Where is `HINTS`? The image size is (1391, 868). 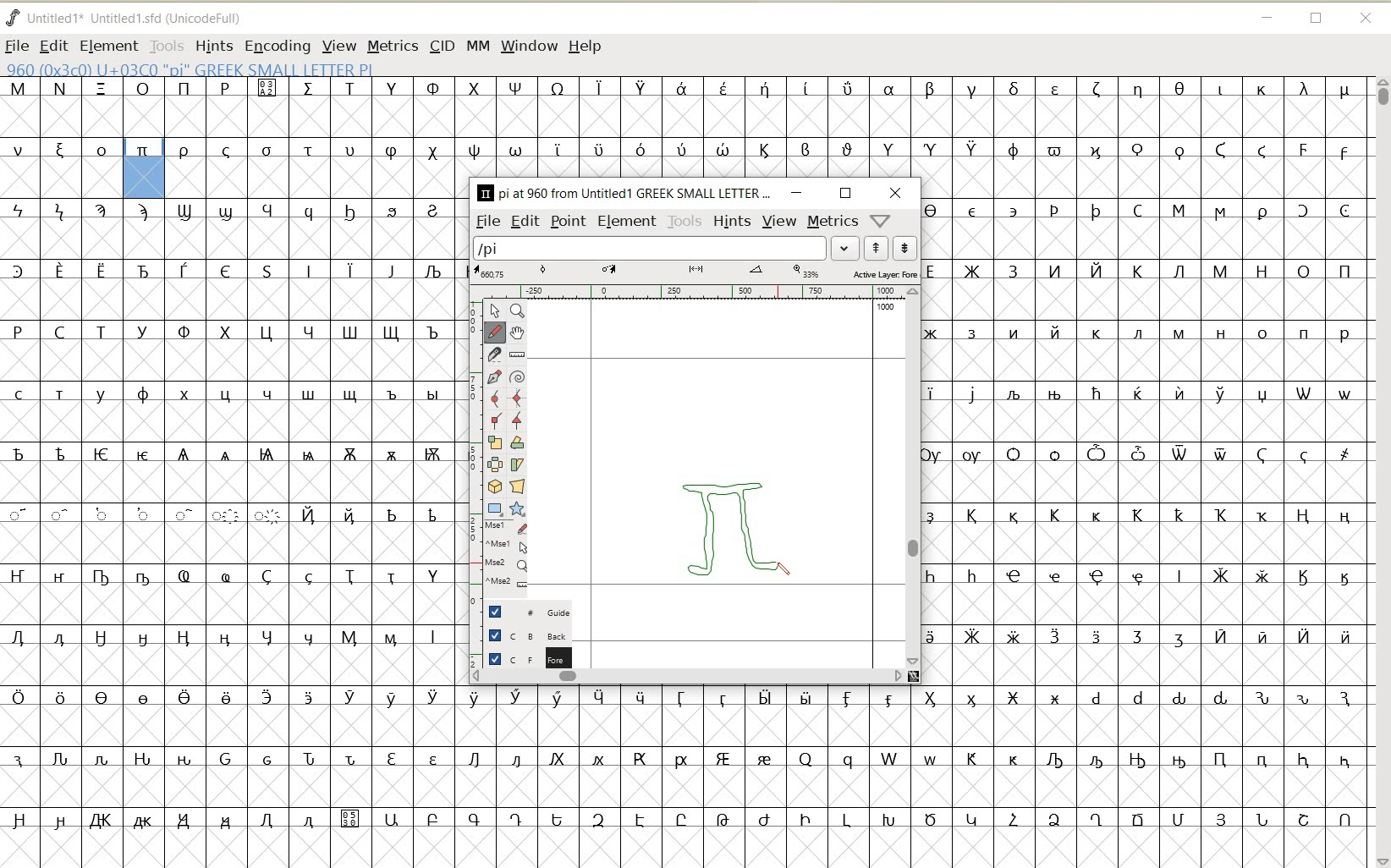 HINTS is located at coordinates (212, 47).